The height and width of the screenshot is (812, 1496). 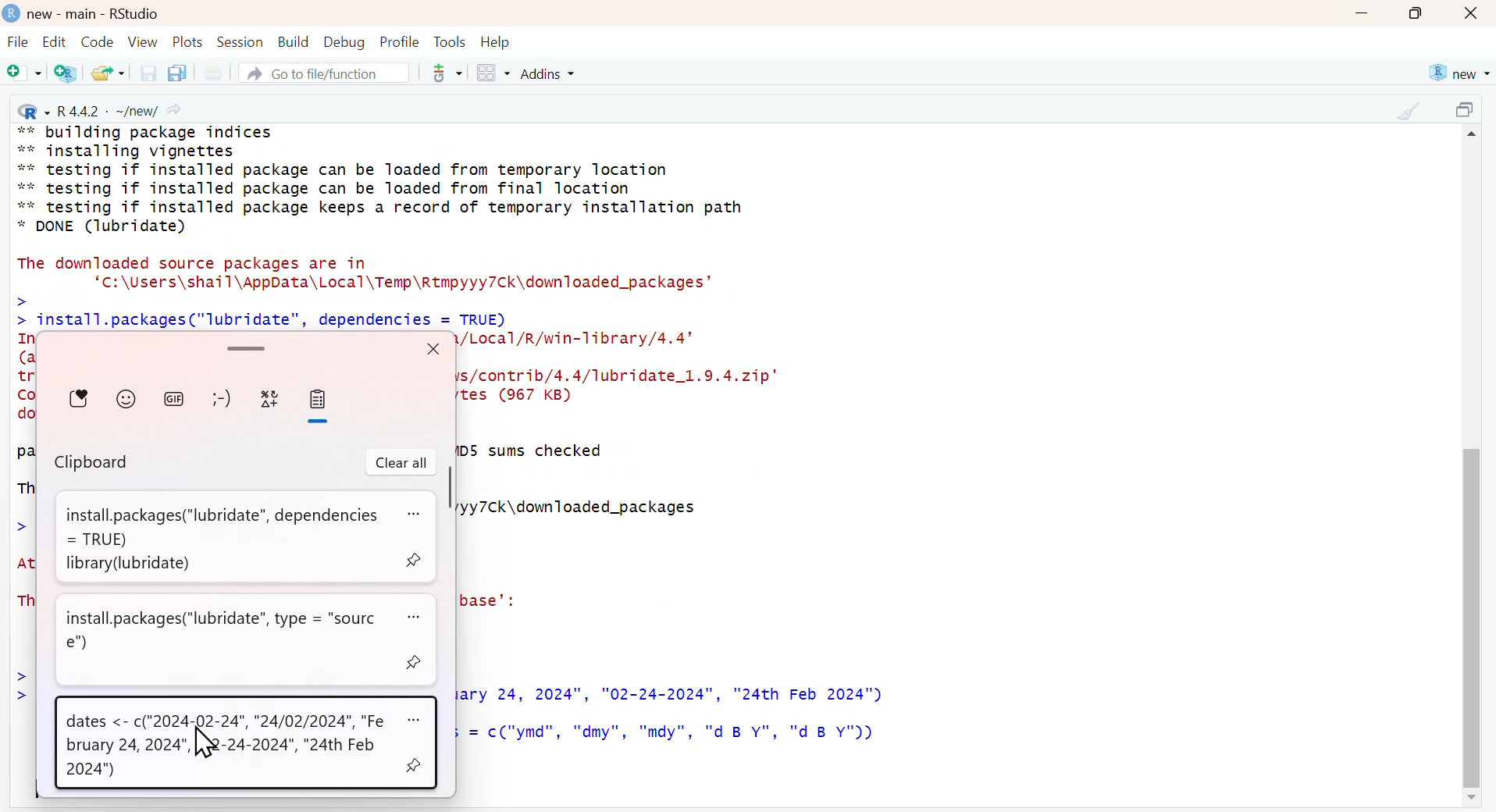 What do you see at coordinates (95, 14) in the screenshot?
I see `new - main - RStudio` at bounding box center [95, 14].